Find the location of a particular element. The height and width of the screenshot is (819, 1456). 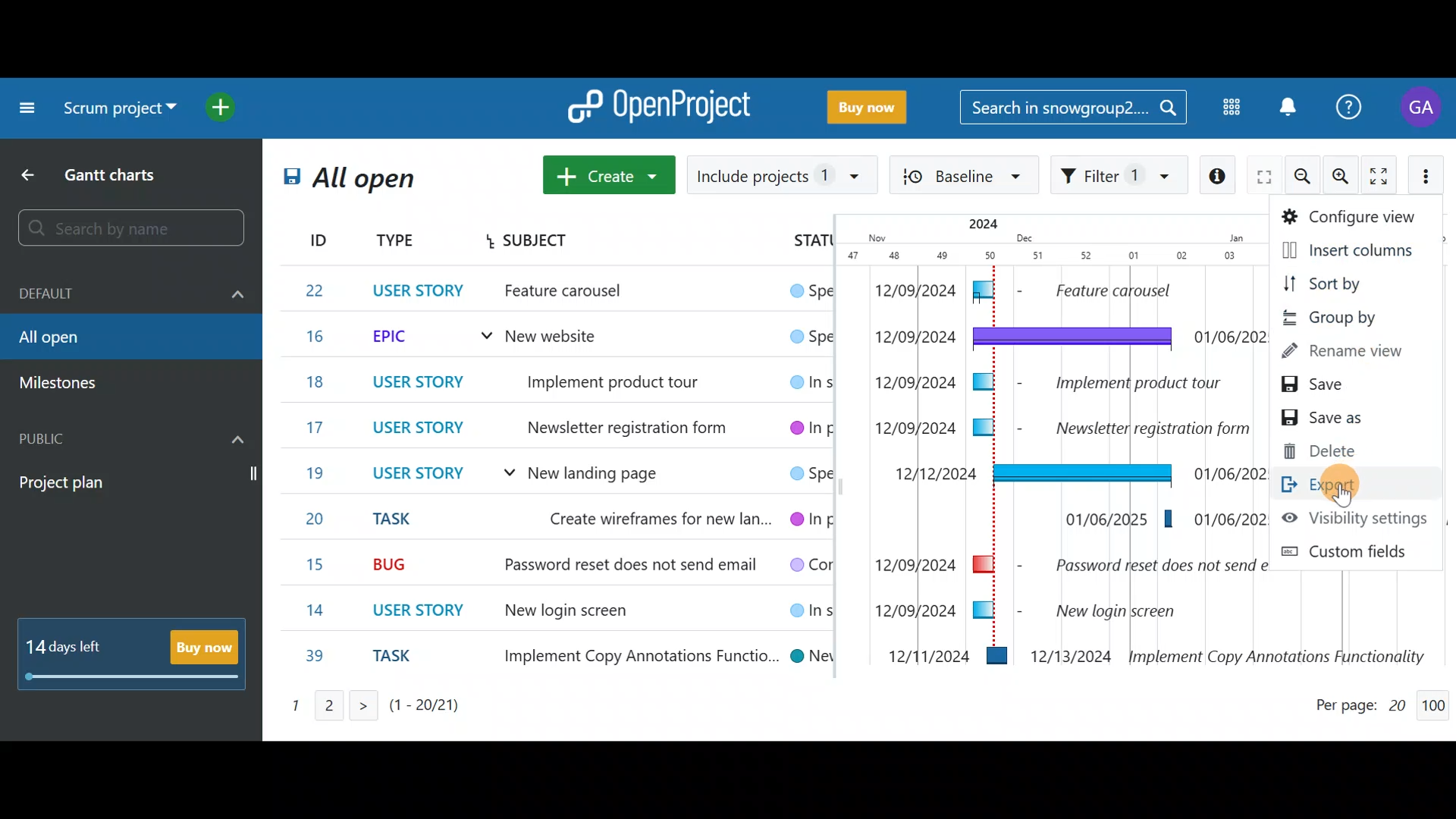

New landing page is located at coordinates (620, 474).